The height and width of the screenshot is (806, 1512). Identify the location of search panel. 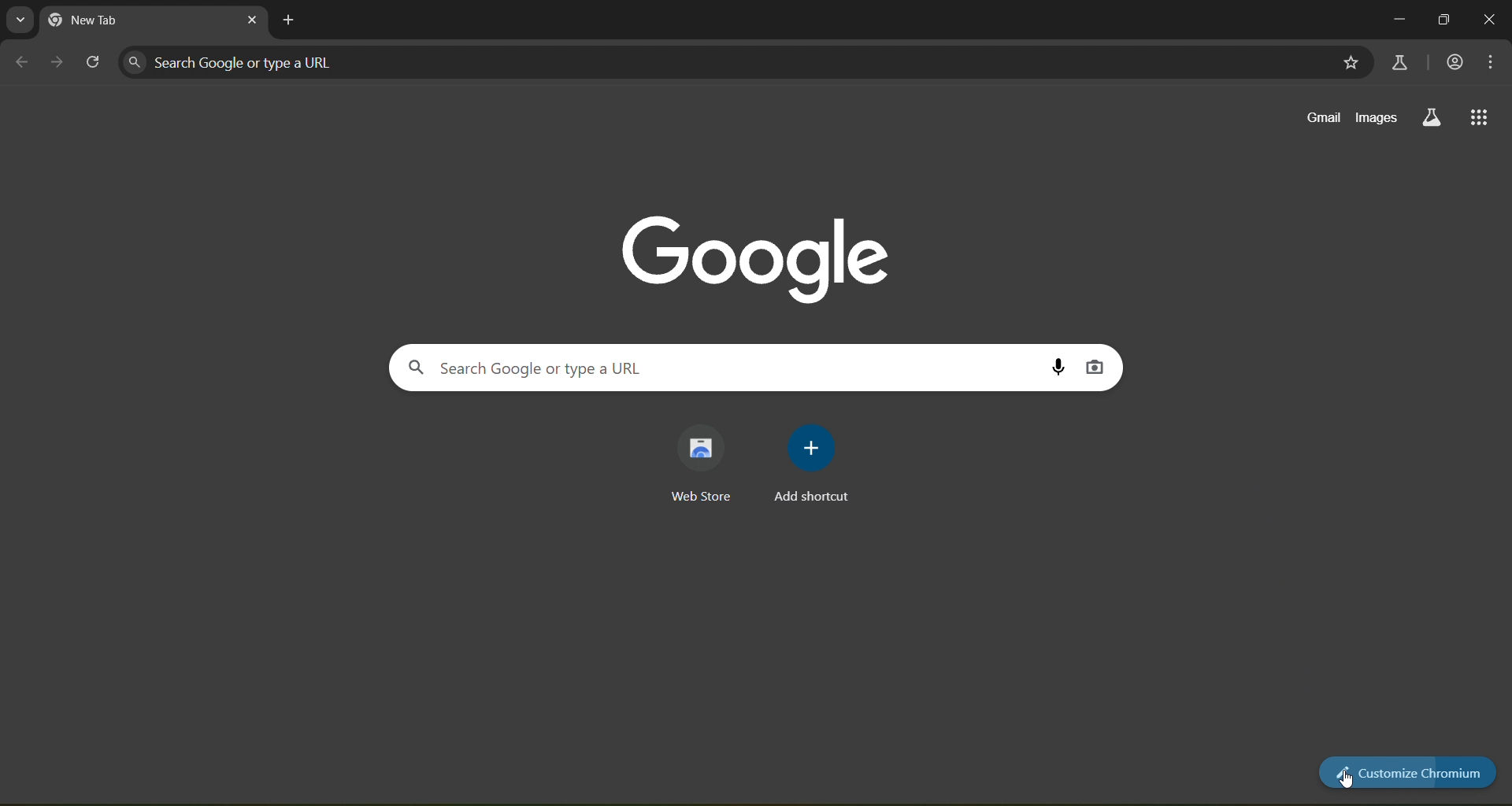
(324, 64).